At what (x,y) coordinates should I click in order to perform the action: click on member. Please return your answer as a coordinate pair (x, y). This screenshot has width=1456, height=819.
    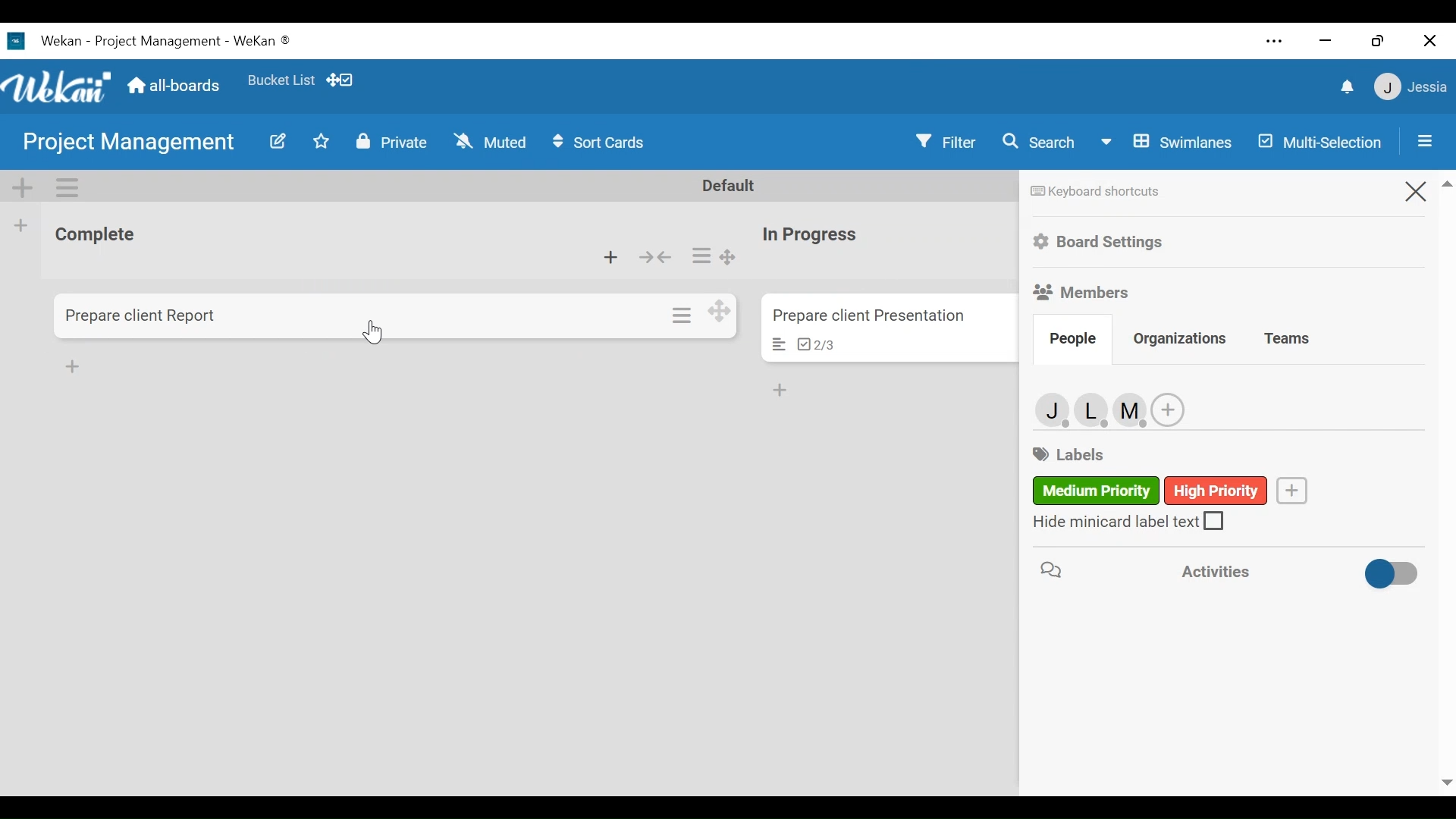
    Looking at the image, I should click on (1134, 409).